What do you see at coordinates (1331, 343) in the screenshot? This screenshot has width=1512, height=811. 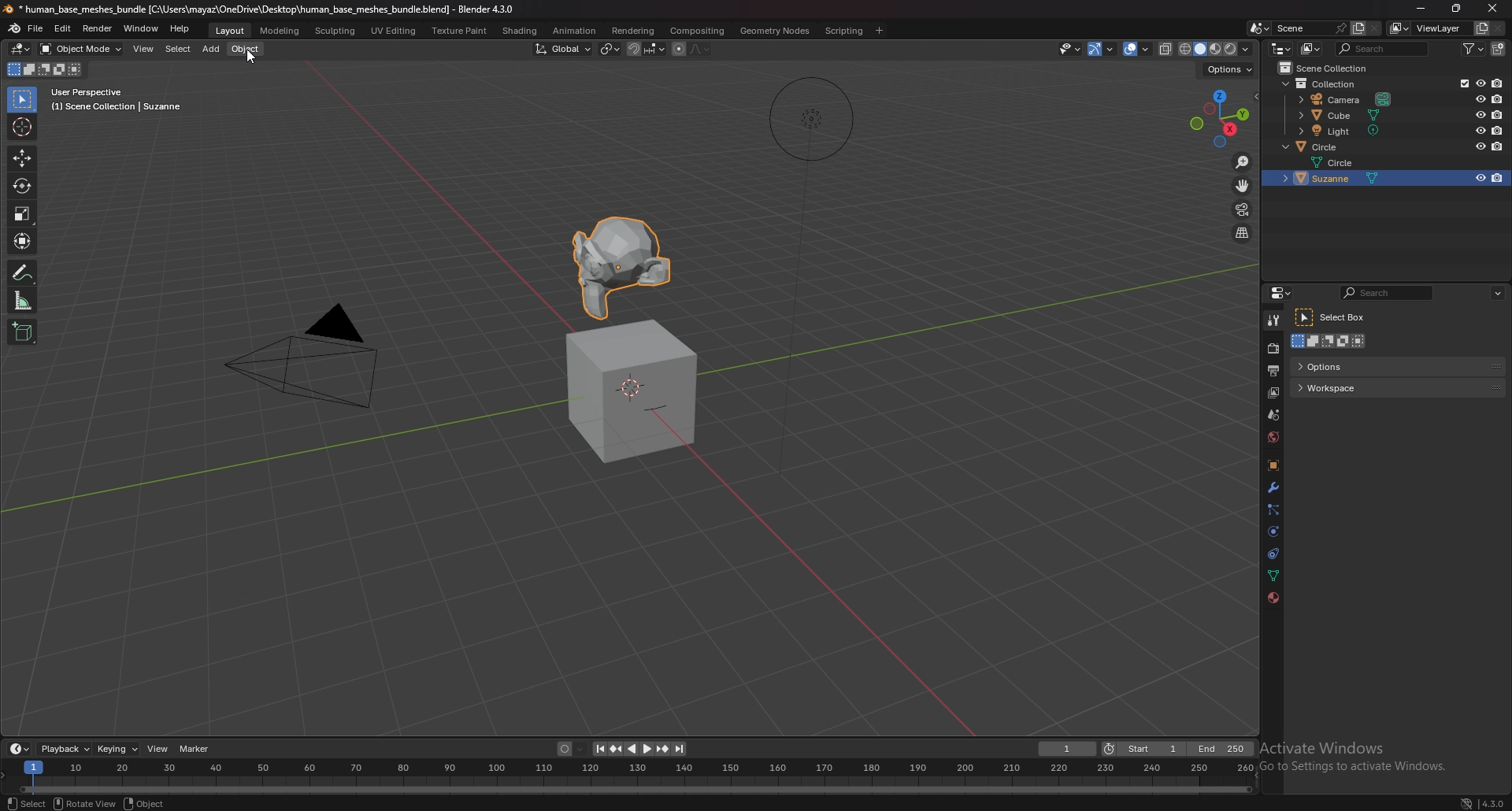 I see `mode` at bounding box center [1331, 343].